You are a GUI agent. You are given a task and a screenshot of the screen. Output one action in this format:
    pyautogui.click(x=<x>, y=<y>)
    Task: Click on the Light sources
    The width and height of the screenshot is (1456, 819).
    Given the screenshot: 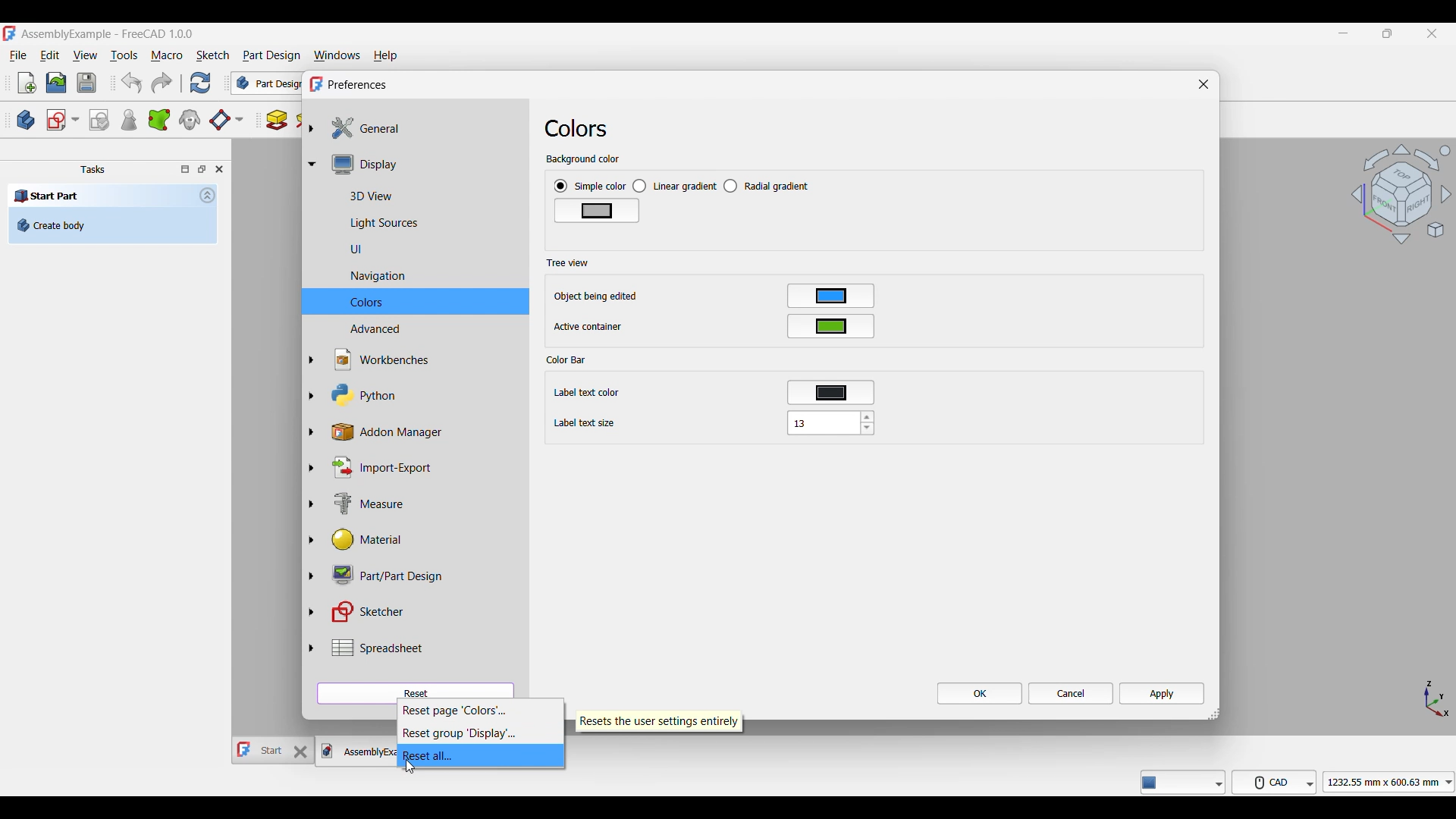 What is the action you would take?
    pyautogui.click(x=366, y=221)
    